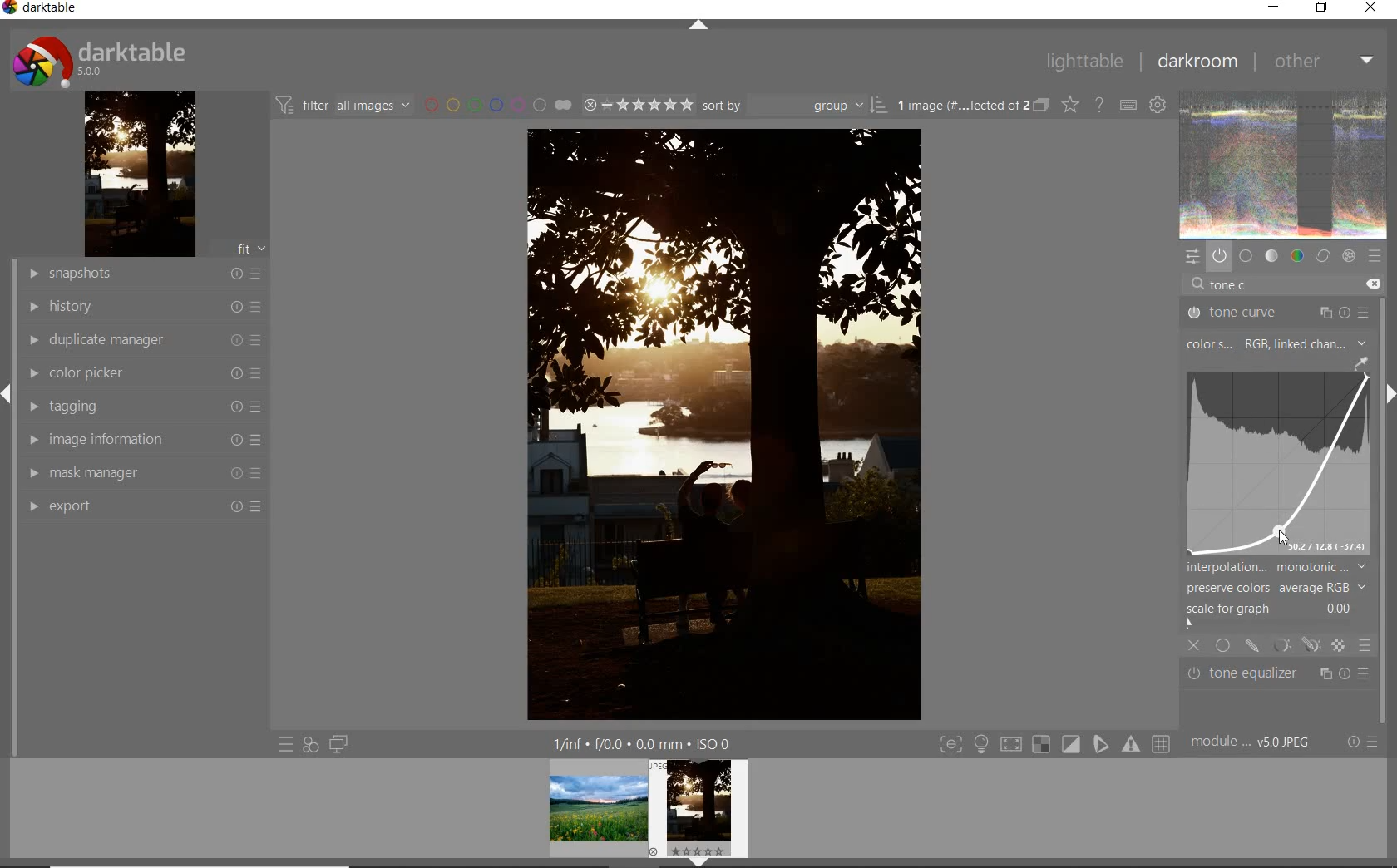  I want to click on selected image, so click(706, 426).